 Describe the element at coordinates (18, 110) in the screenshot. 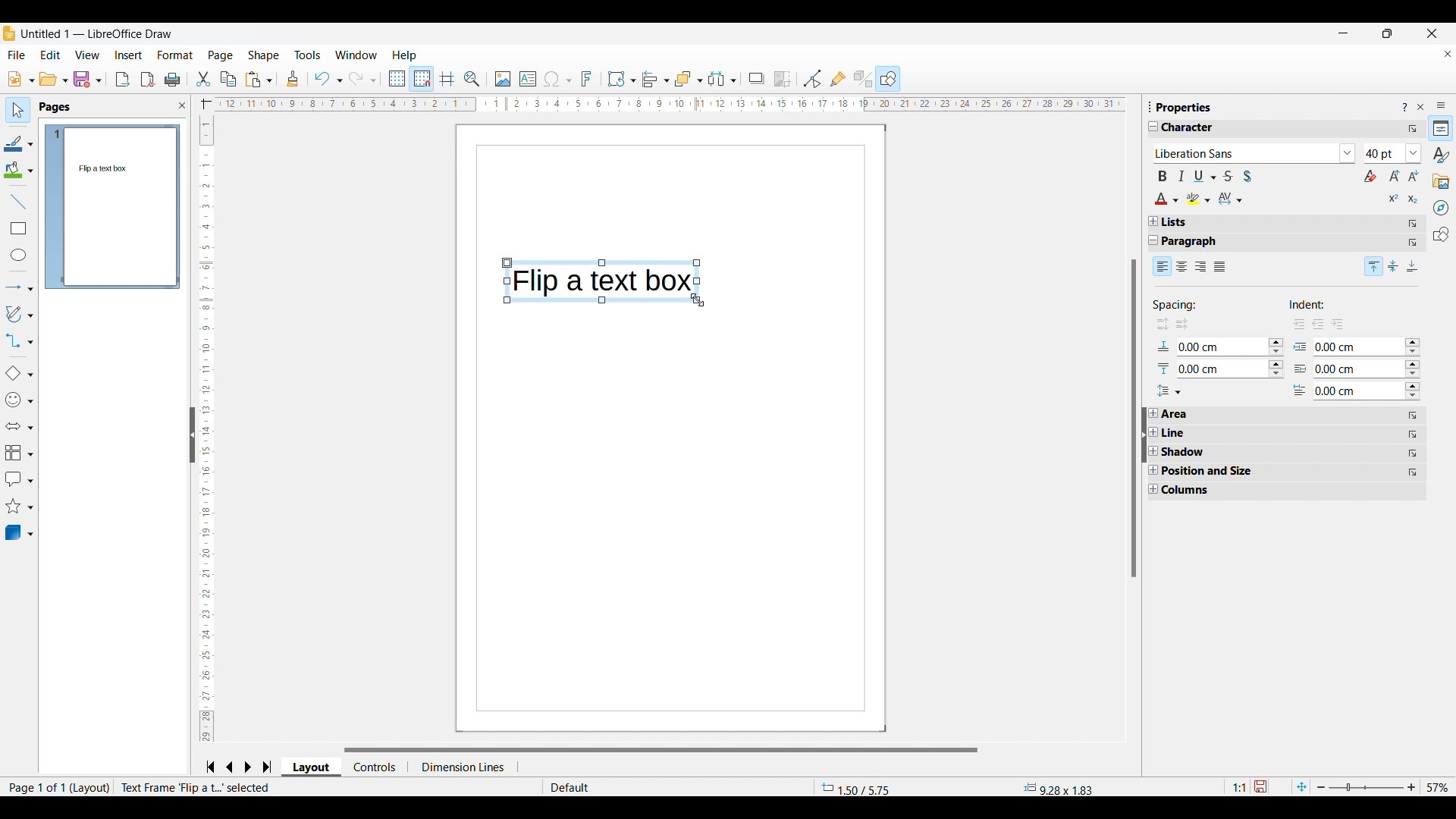

I see `Select, current selection` at that location.